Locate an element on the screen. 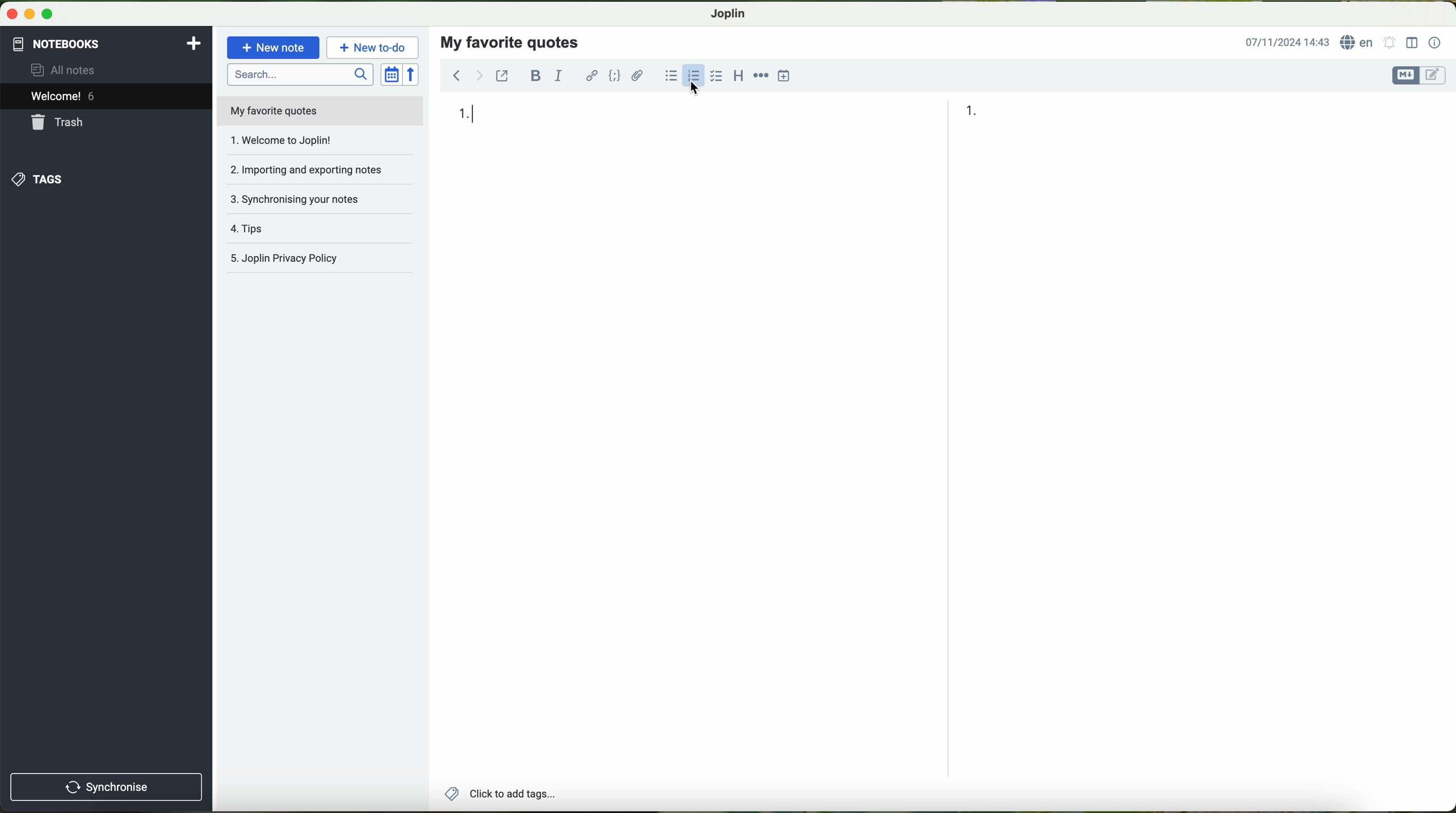 This screenshot has height=813, width=1456. toggle editor layout is located at coordinates (1411, 43).